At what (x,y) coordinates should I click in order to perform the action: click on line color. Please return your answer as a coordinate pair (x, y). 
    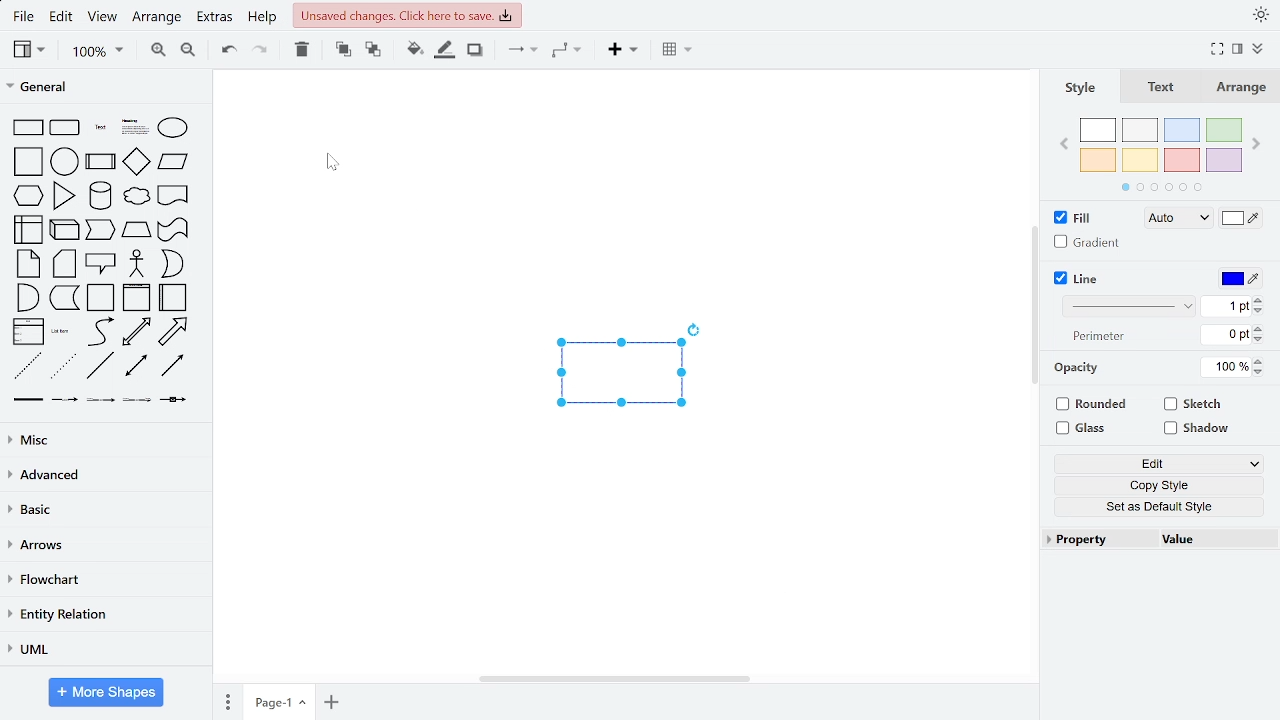
    Looking at the image, I should click on (1239, 279).